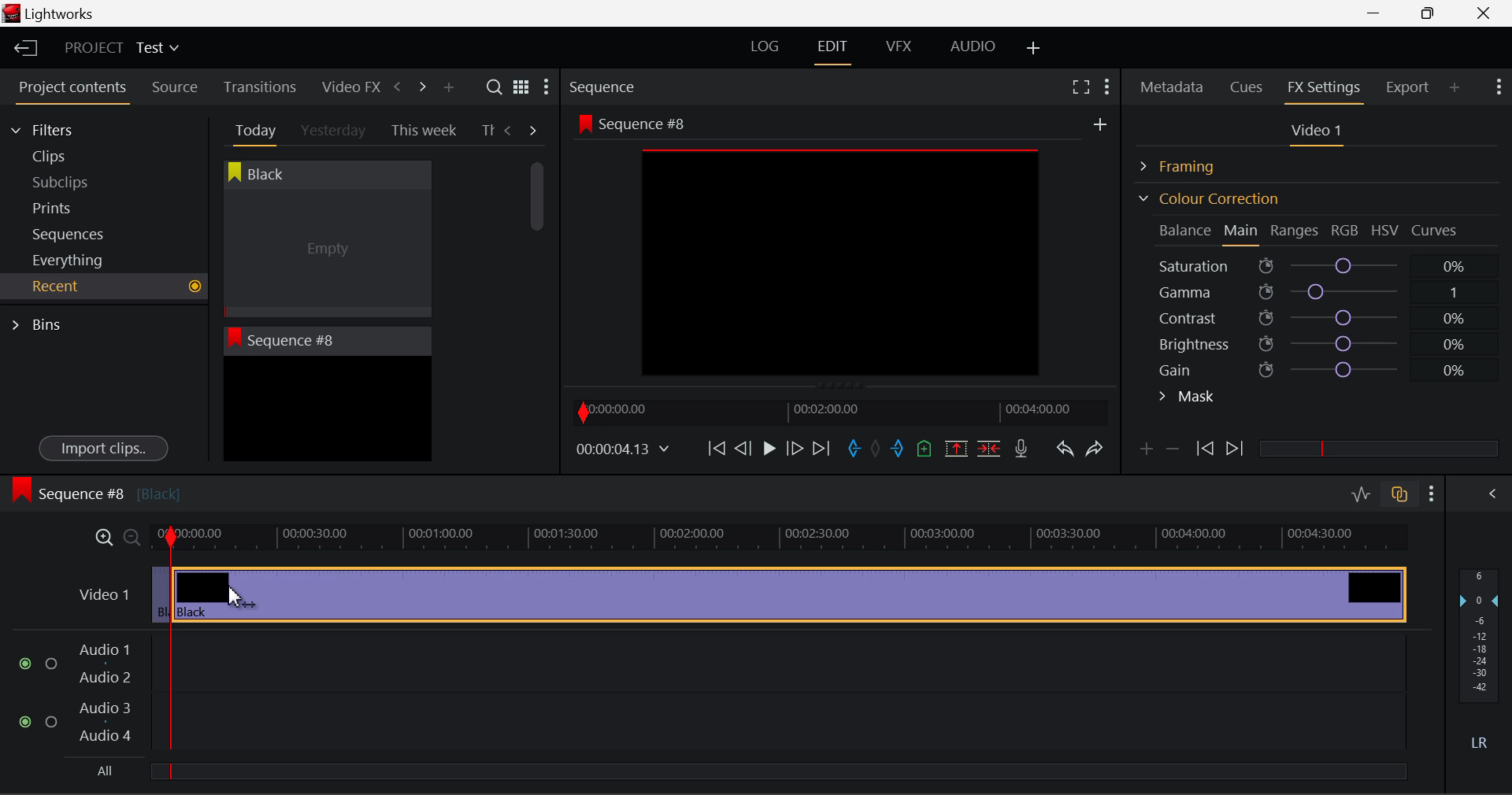 The height and width of the screenshot is (795, 1512). Describe the element at coordinates (20, 49) in the screenshot. I see `Back to Homepage` at that location.